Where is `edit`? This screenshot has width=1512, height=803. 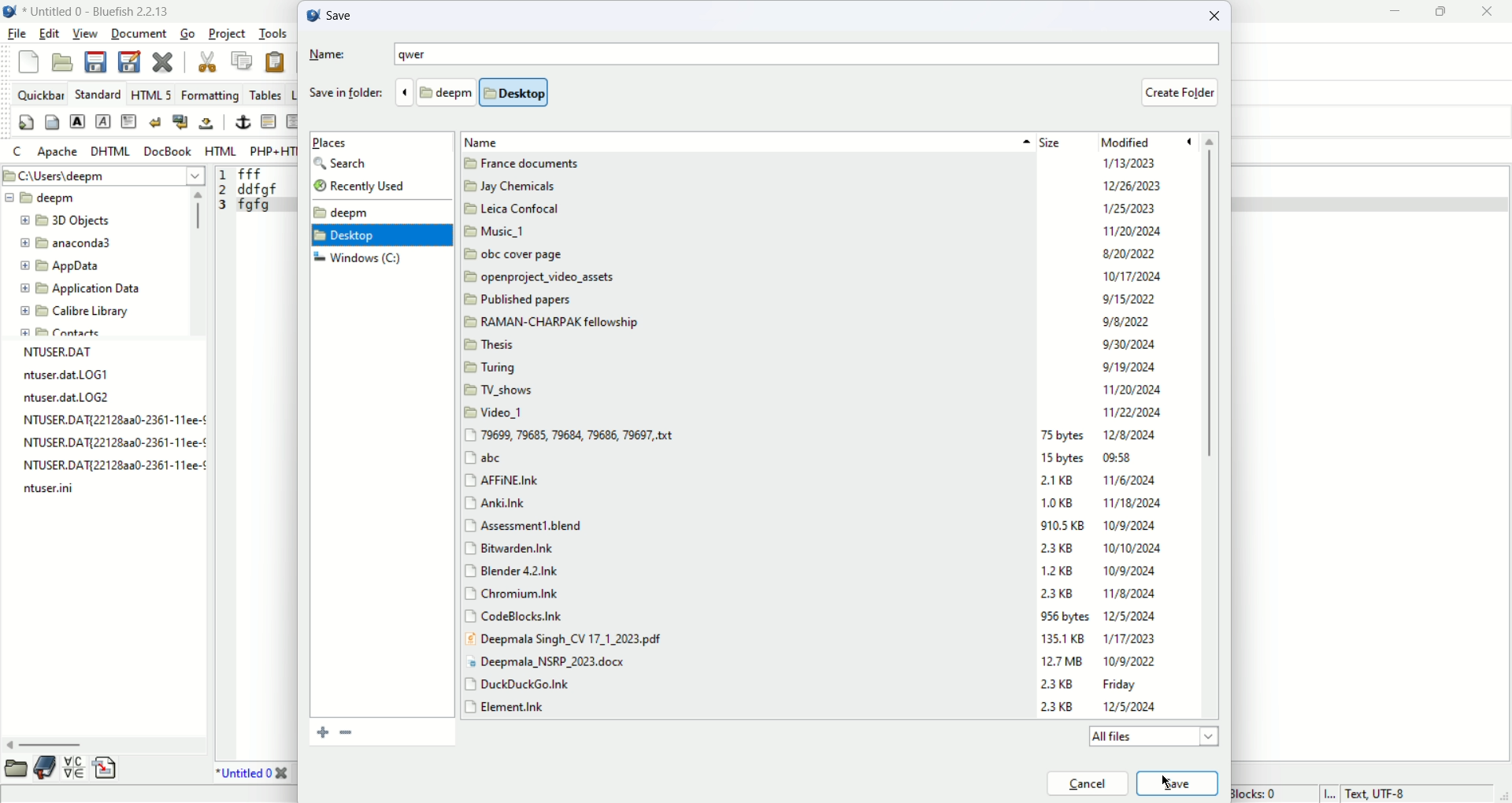
edit is located at coordinates (50, 33).